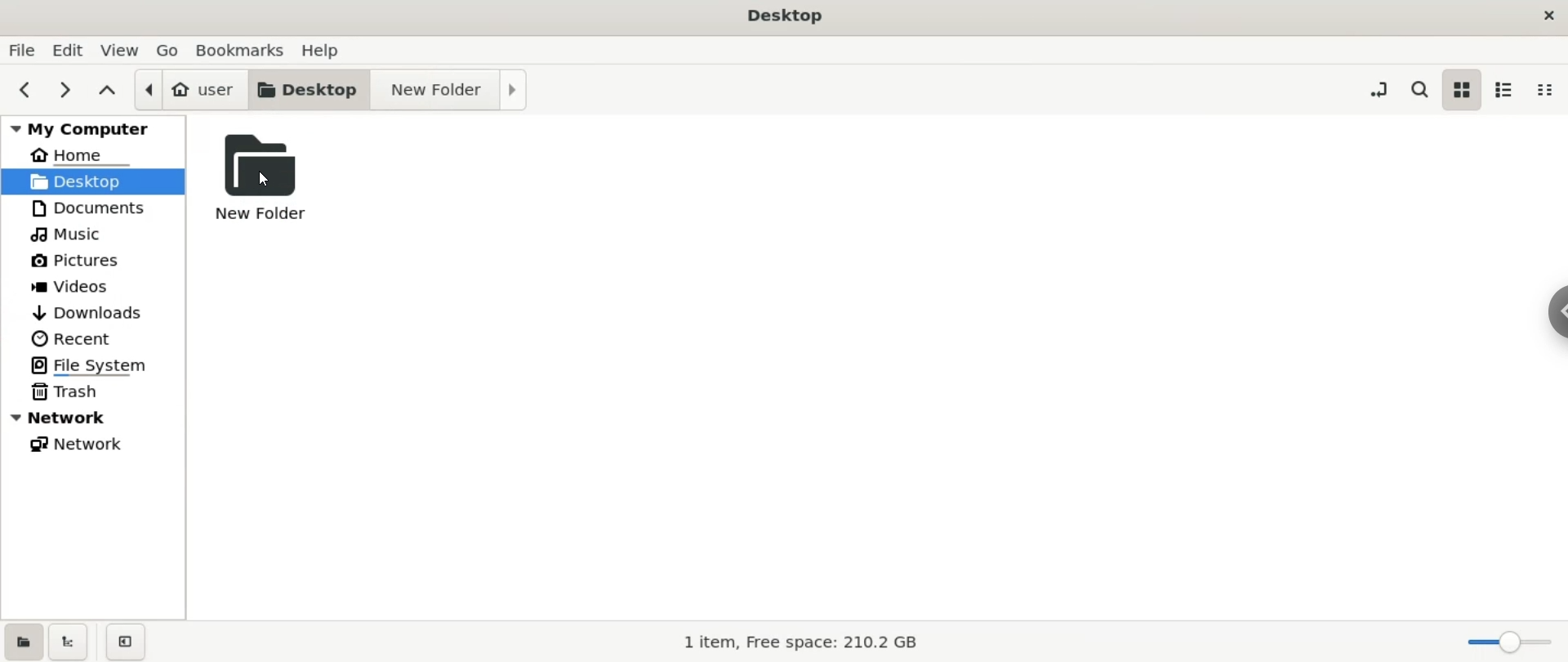 This screenshot has height=662, width=1568. Describe the element at coordinates (310, 90) in the screenshot. I see `desktop` at that location.